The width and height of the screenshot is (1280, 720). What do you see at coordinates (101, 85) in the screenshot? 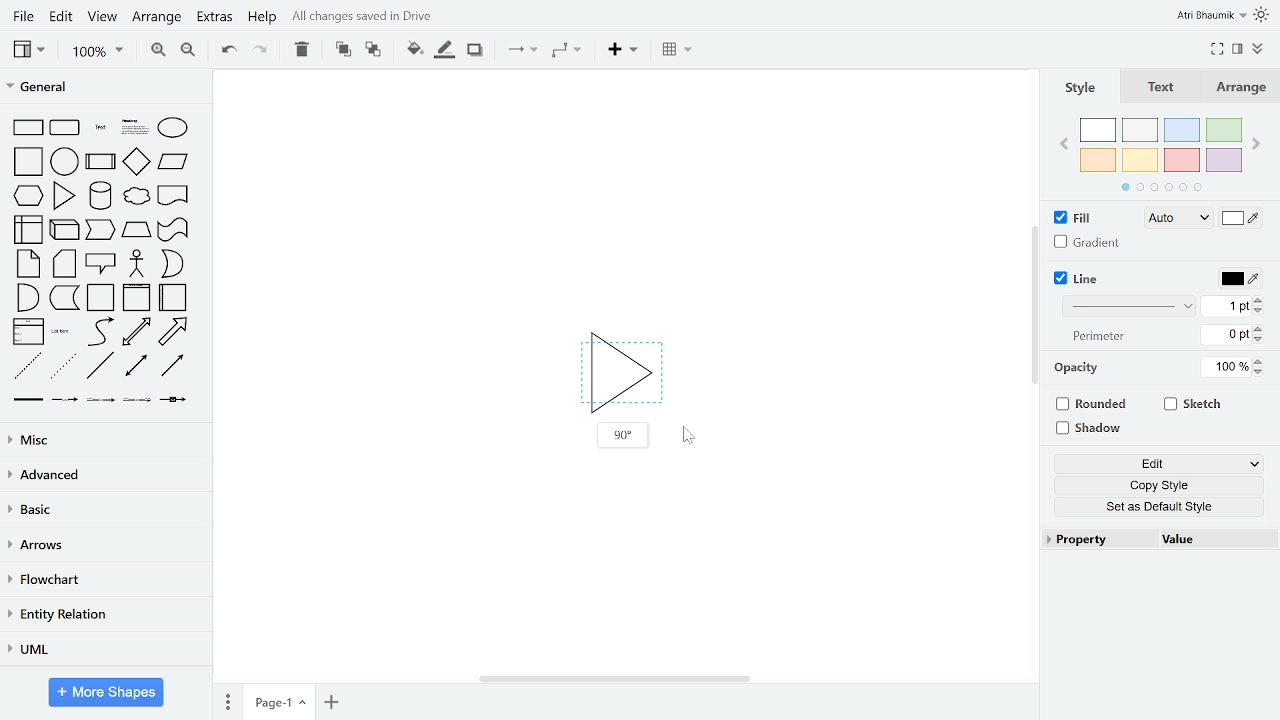
I see `general` at bounding box center [101, 85].